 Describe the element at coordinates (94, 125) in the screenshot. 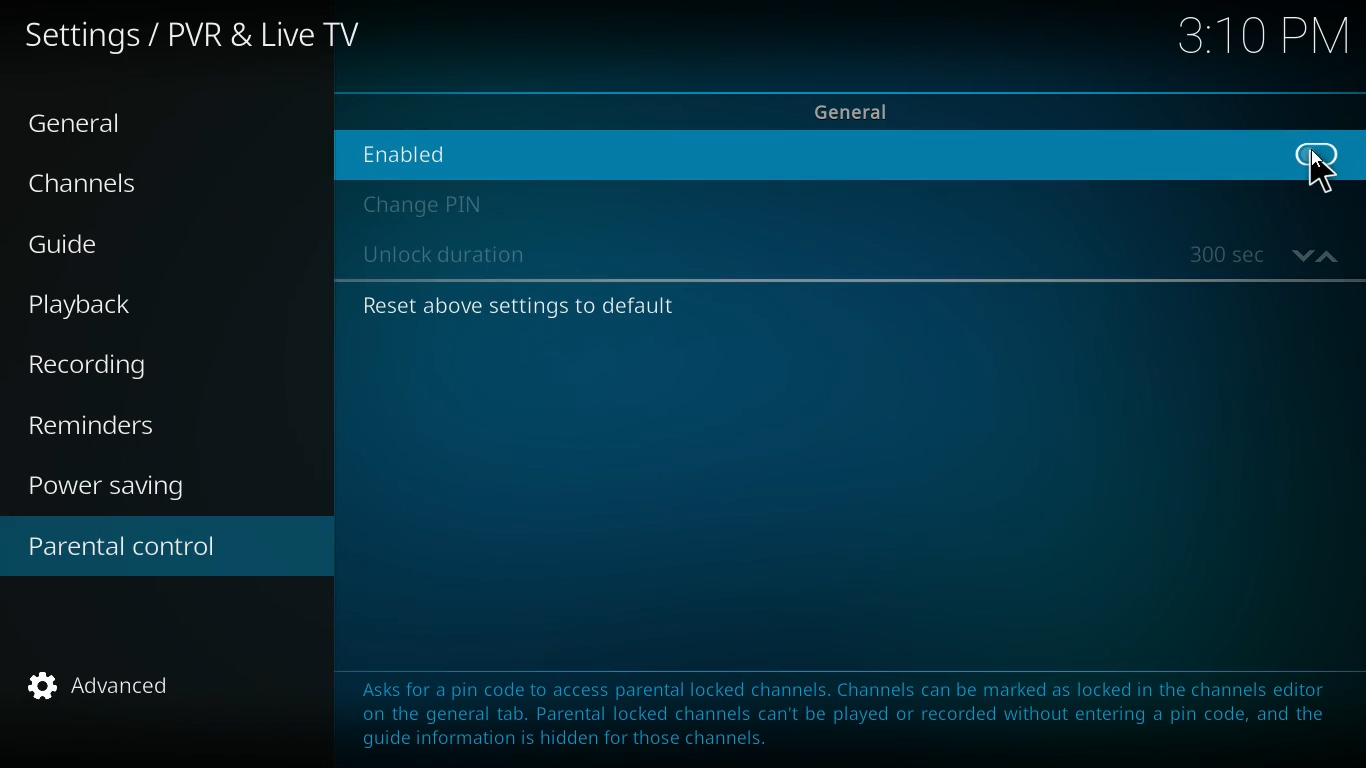

I see `general ` at that location.